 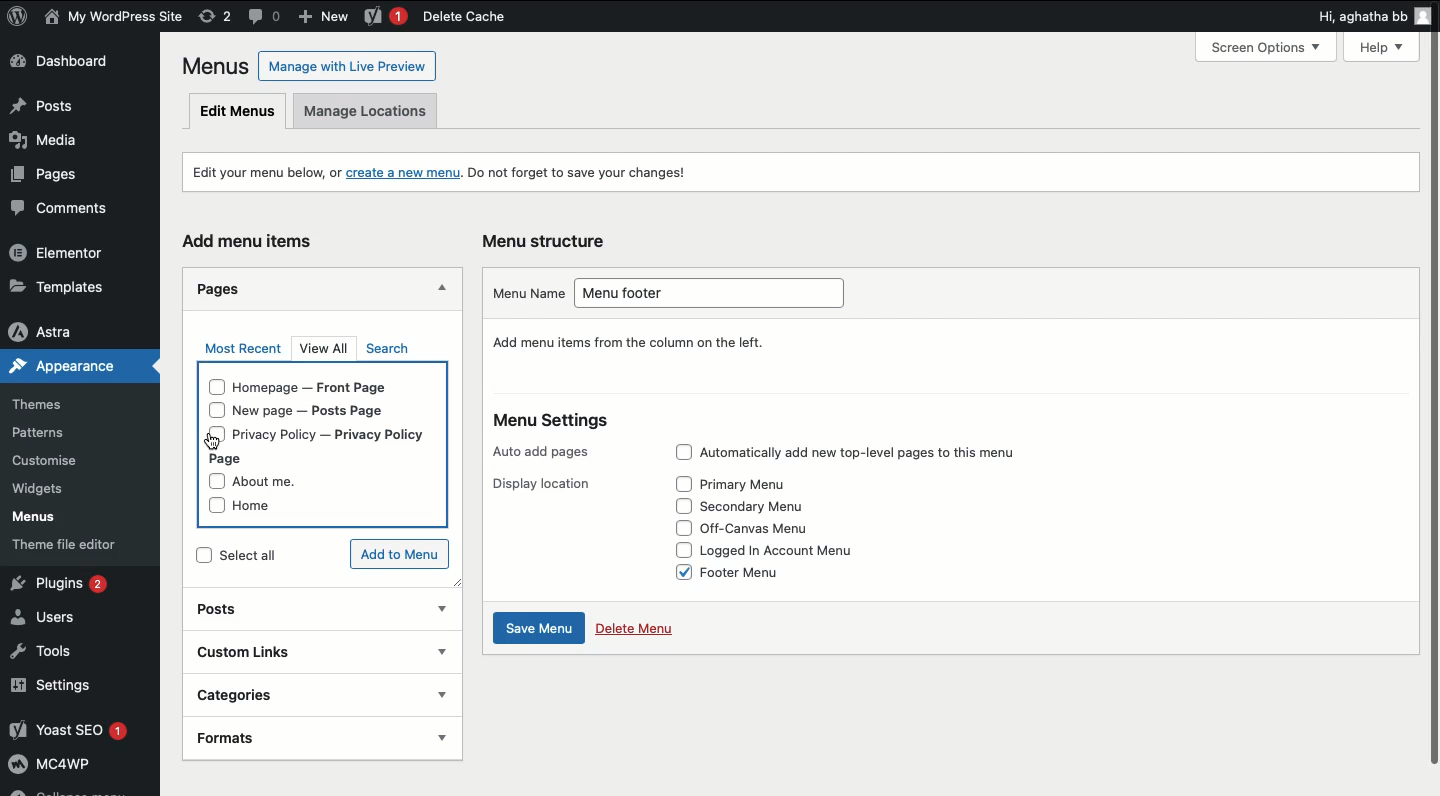 I want to click on Off-canvas menu, so click(x=771, y=527).